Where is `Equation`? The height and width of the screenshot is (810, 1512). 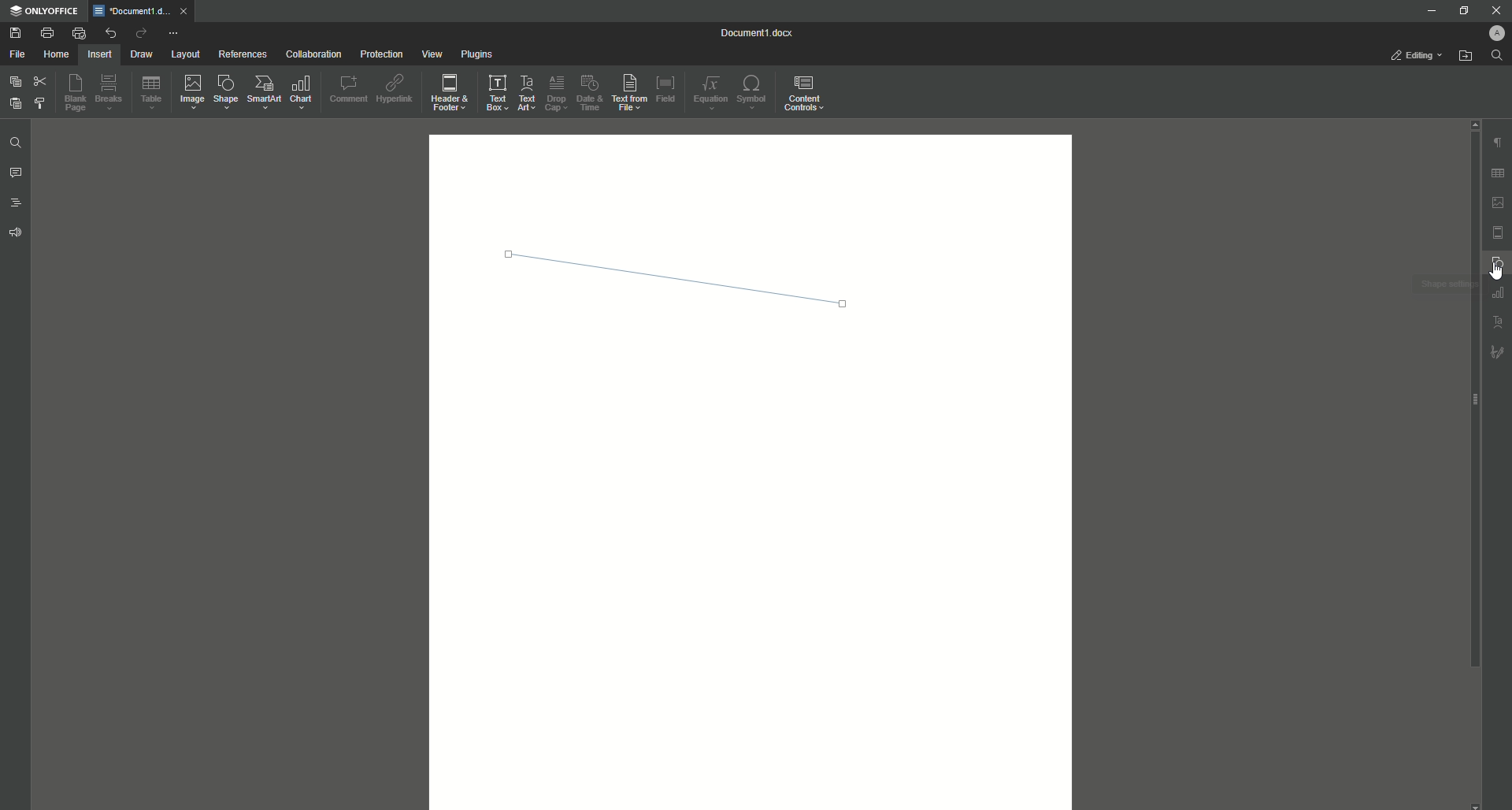 Equation is located at coordinates (709, 92).